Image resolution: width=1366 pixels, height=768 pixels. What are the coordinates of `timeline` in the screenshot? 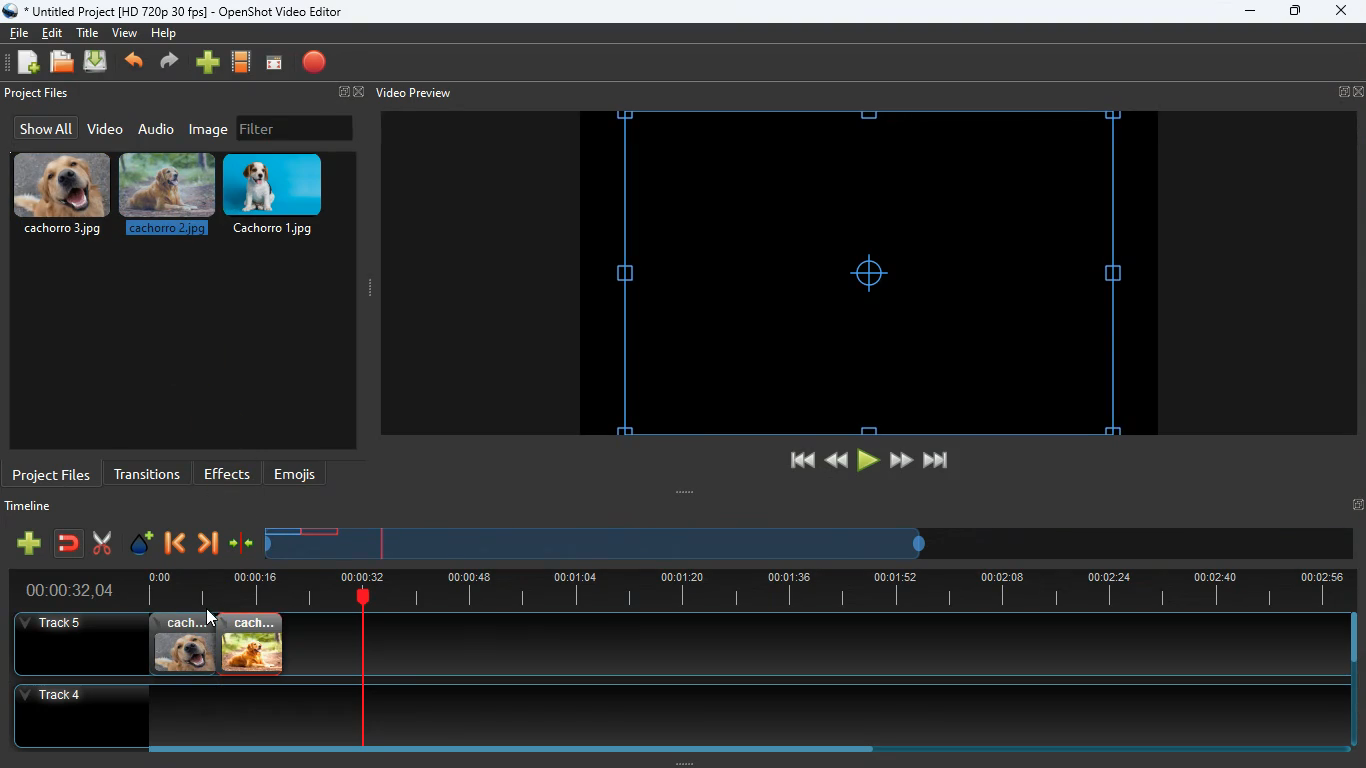 It's located at (598, 551).